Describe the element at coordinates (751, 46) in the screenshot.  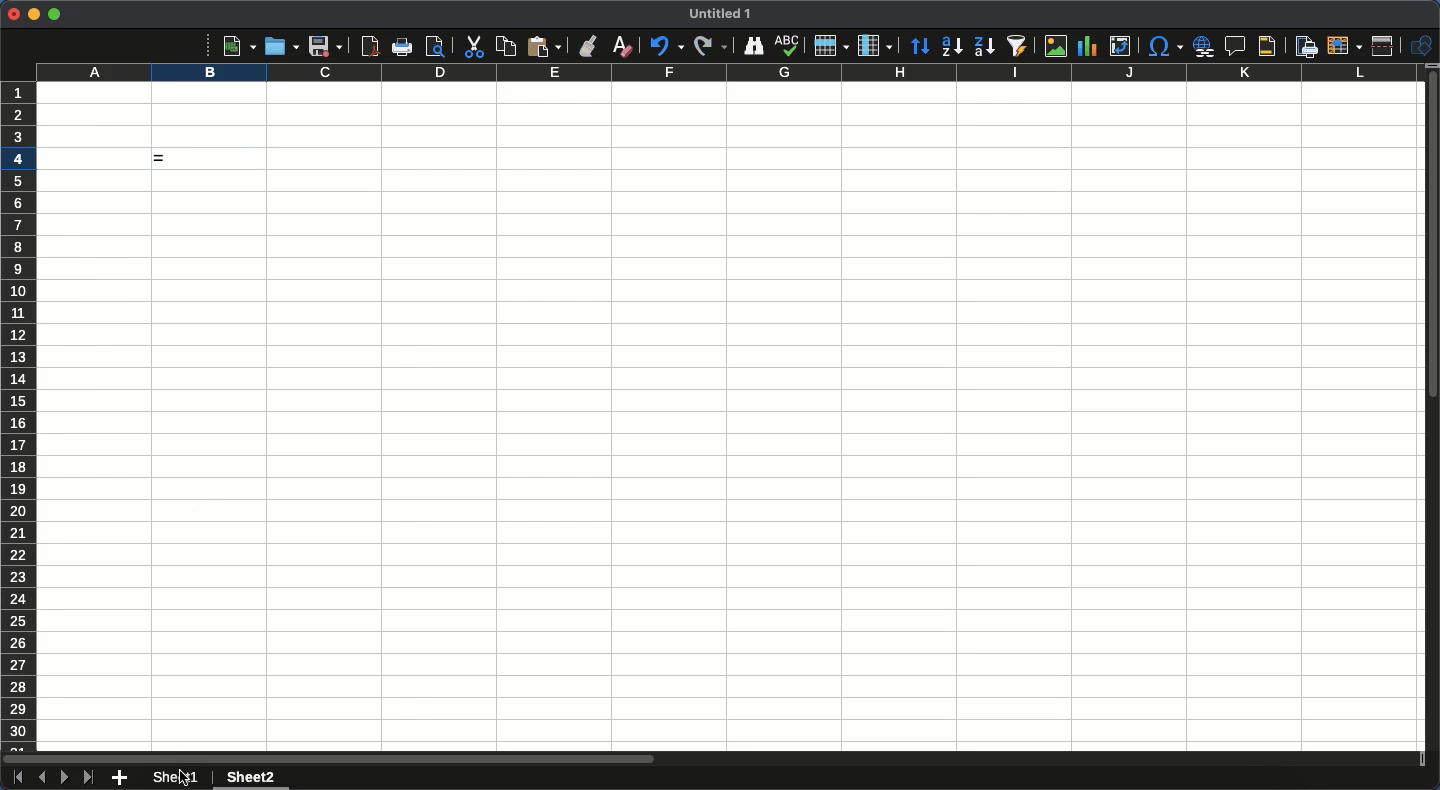
I see `Finder` at that location.